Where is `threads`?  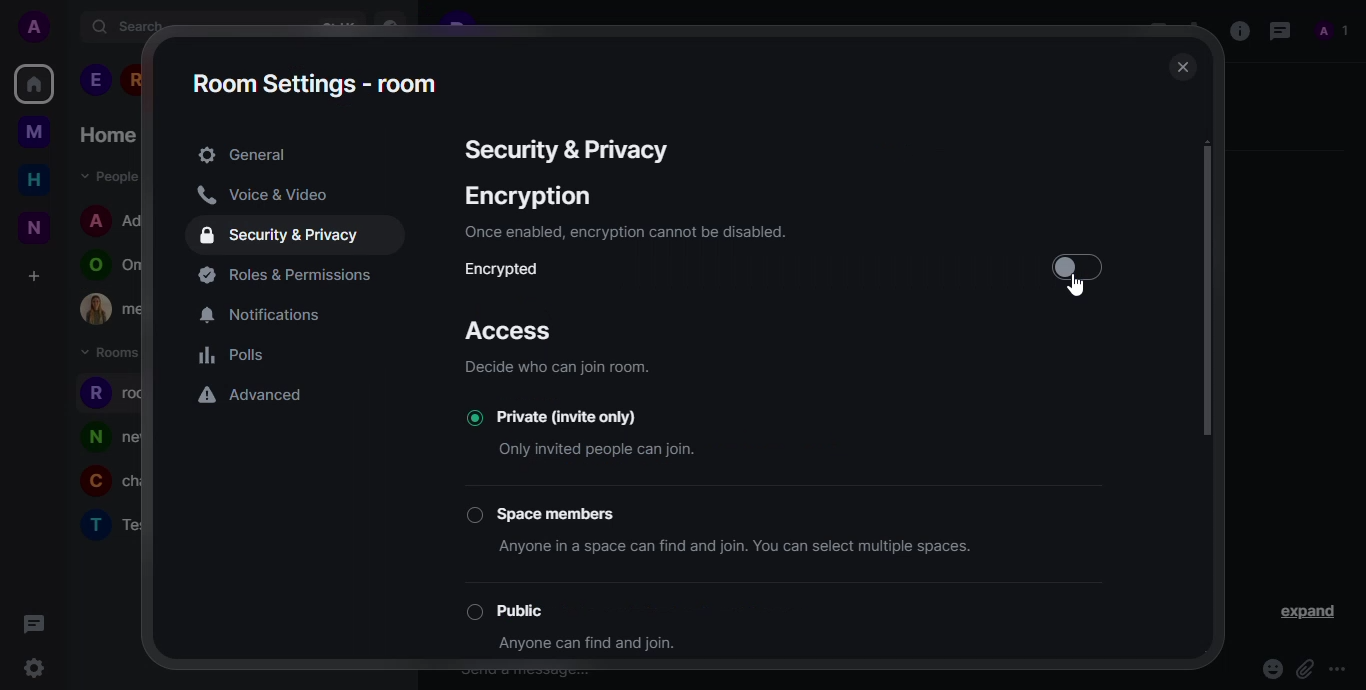 threads is located at coordinates (31, 622).